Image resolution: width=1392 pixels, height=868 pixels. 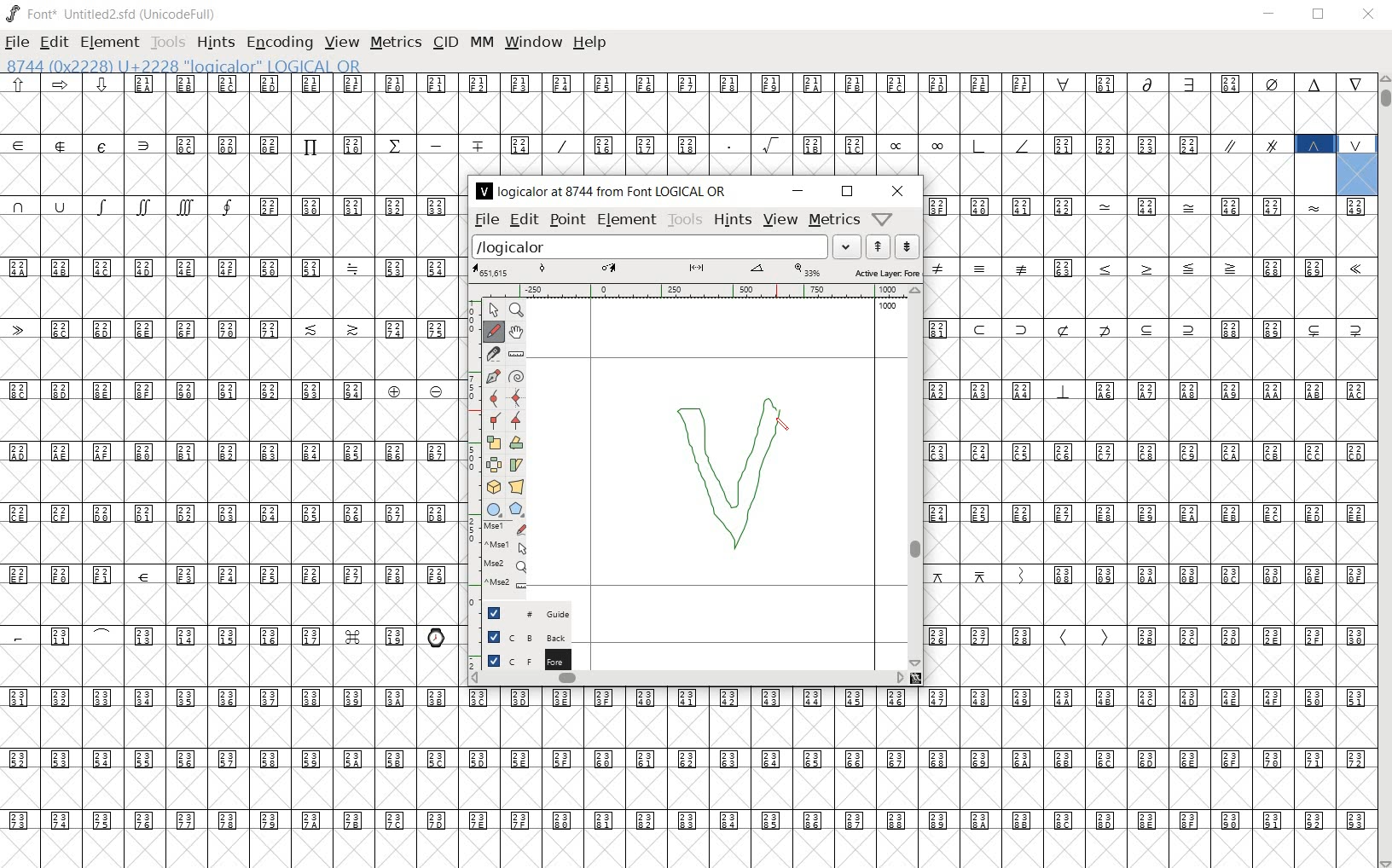 I want to click on edit, so click(x=524, y=221).